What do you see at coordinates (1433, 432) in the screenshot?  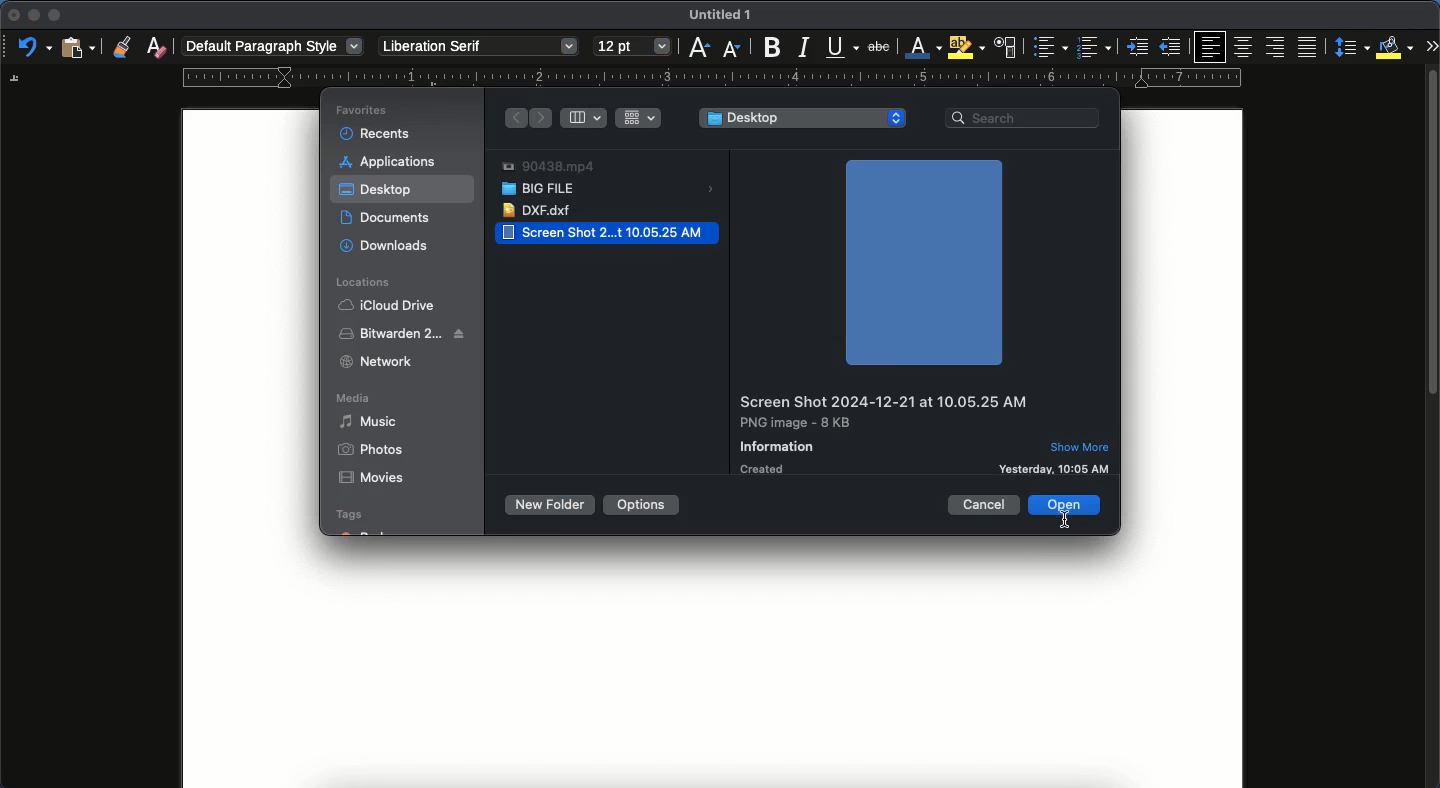 I see `scroll` at bounding box center [1433, 432].